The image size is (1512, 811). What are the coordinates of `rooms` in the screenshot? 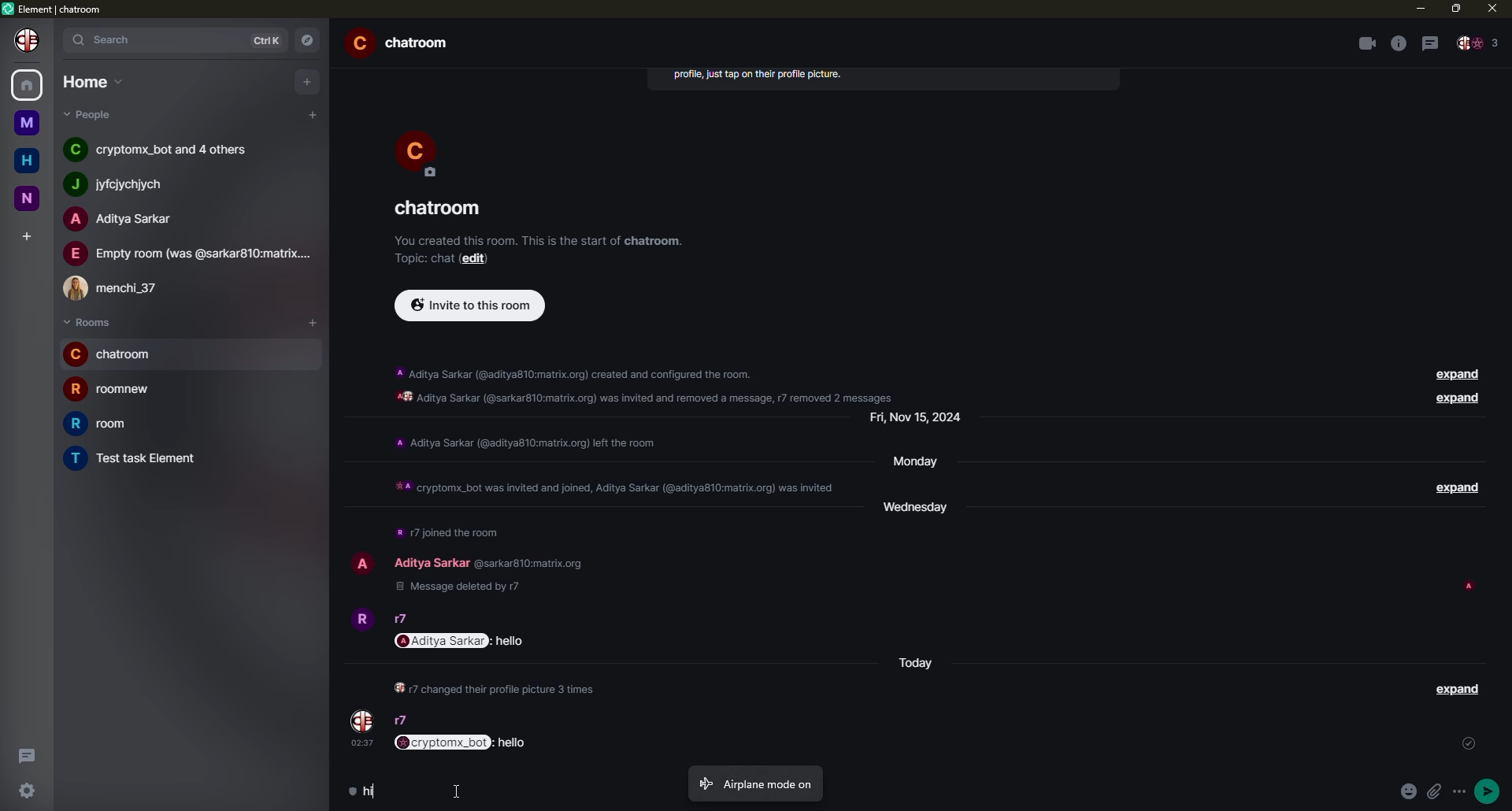 It's located at (88, 322).